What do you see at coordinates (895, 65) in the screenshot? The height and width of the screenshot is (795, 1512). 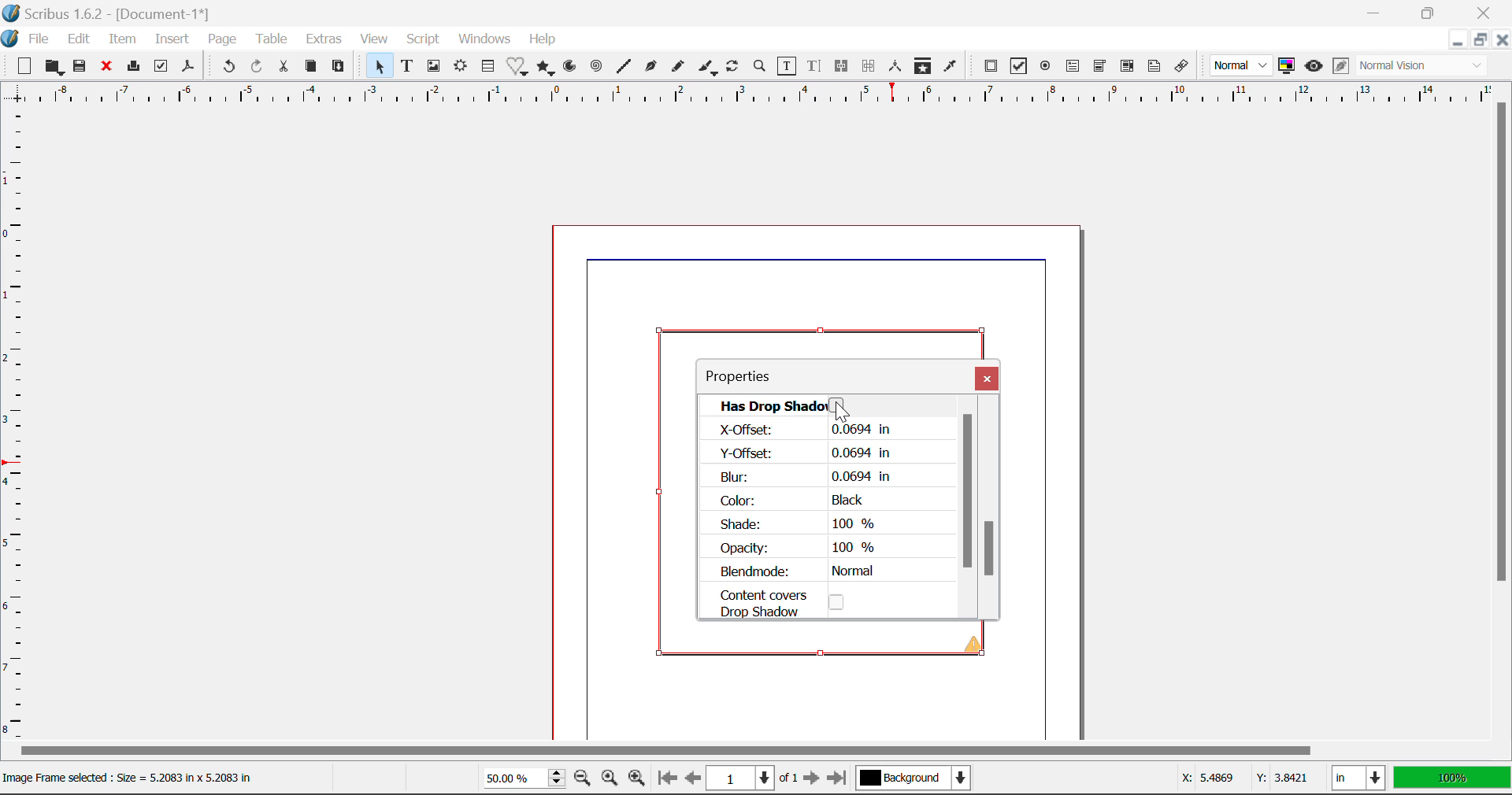 I see `Measurements` at bounding box center [895, 65].